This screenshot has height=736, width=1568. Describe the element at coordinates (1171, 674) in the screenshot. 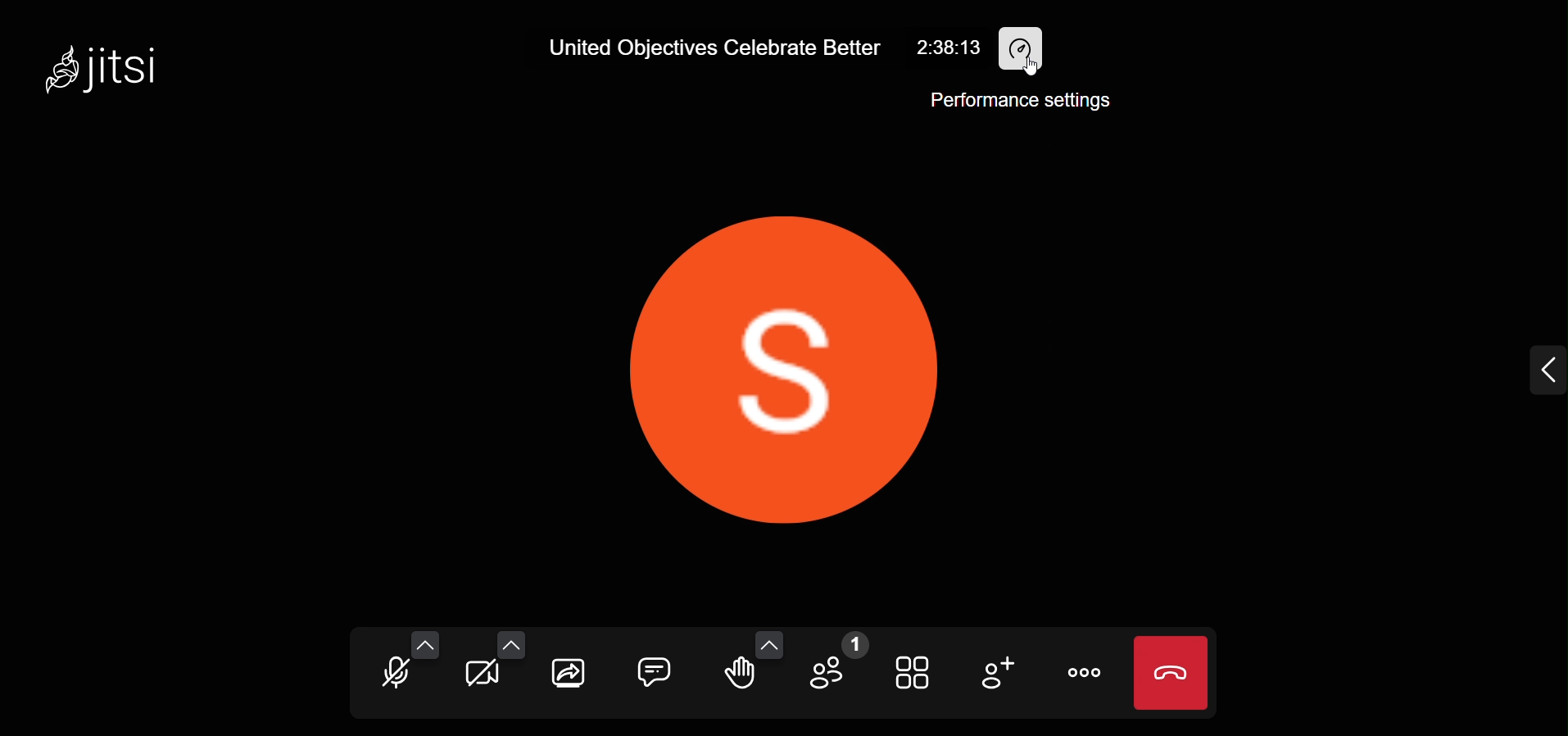

I see `leave meeting` at that location.